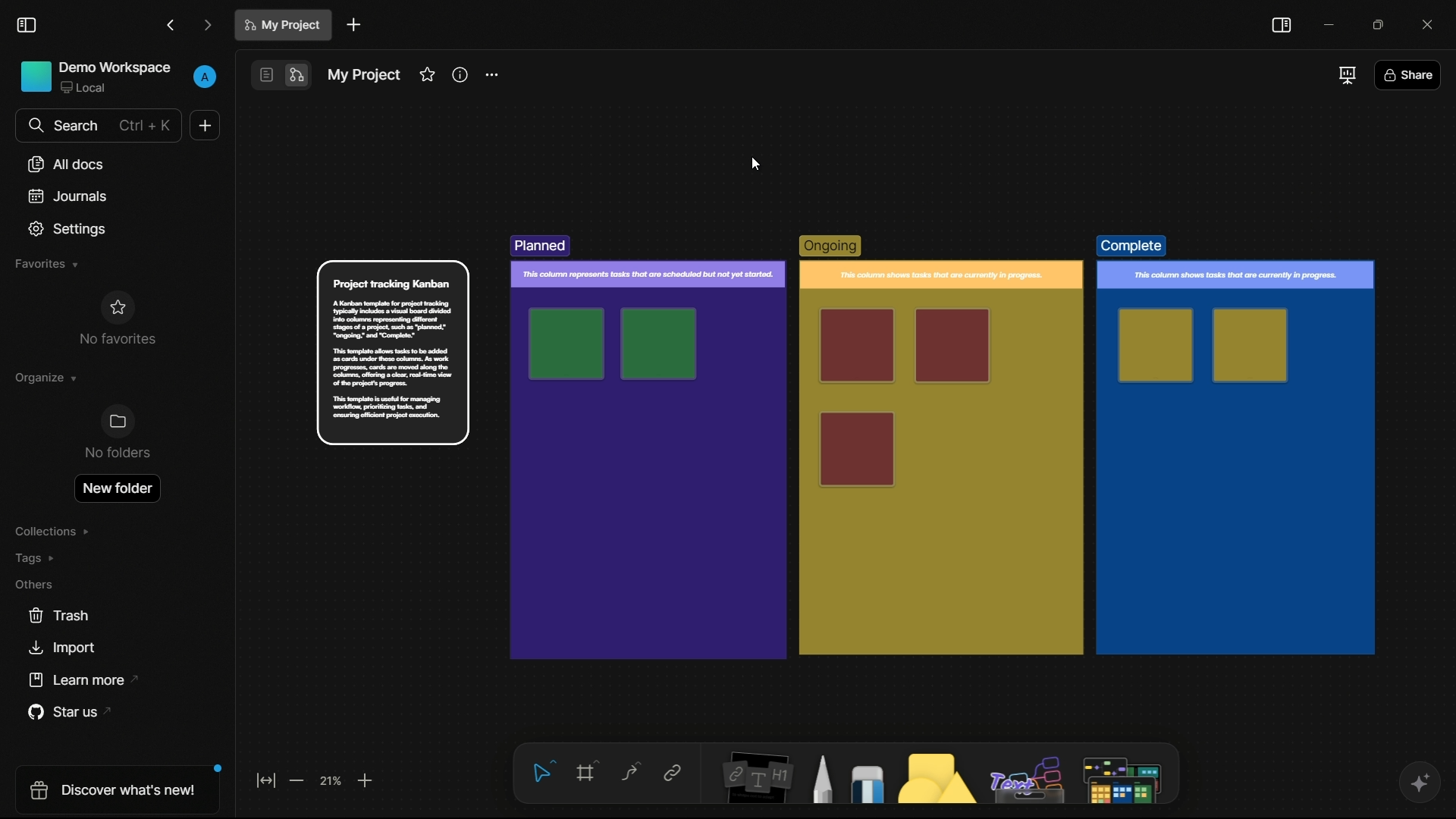 The image size is (1456, 819). I want to click on forward, so click(208, 27).